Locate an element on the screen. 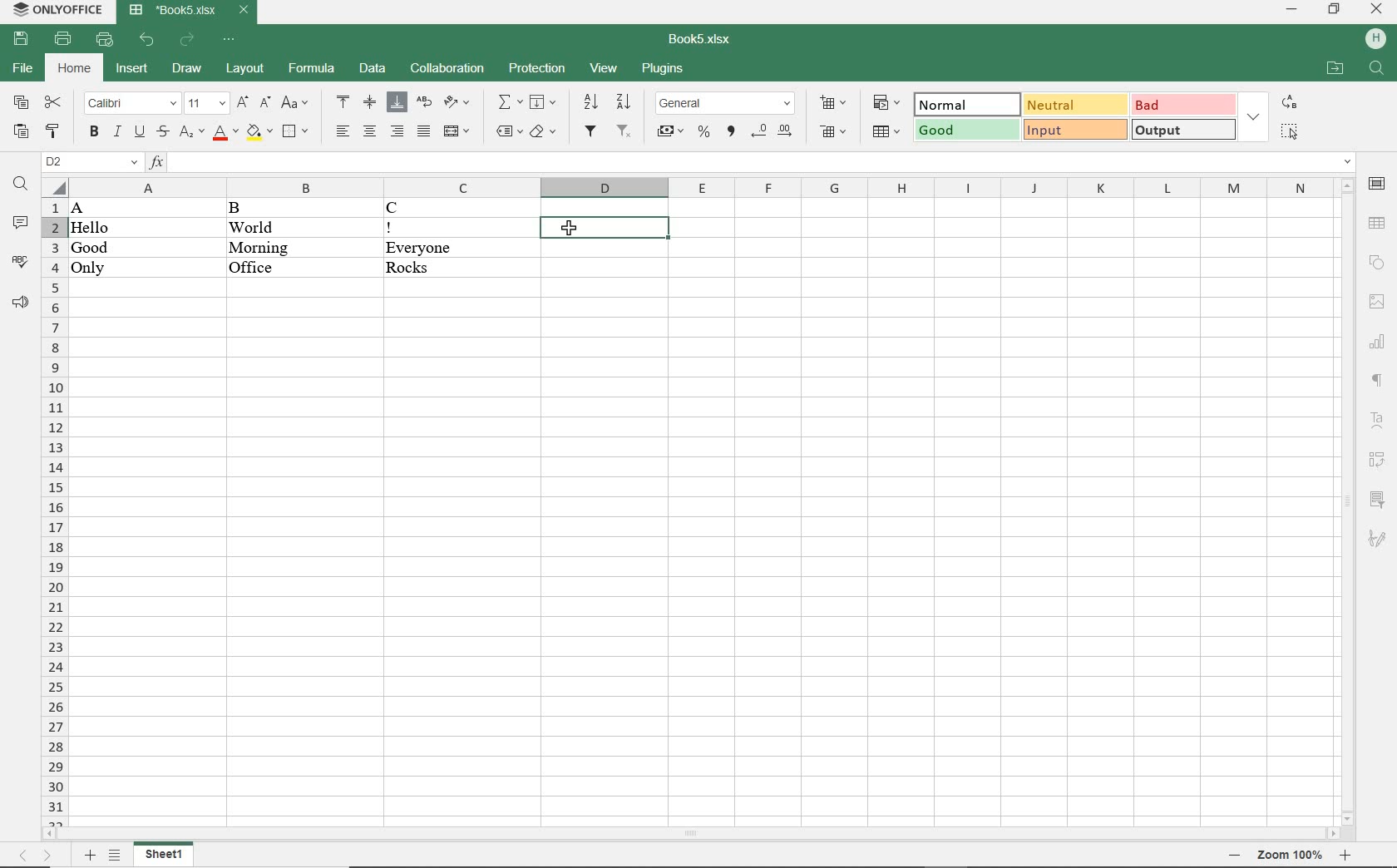 Image resolution: width=1397 pixels, height=868 pixels. REMOV FILTER is located at coordinates (624, 131).